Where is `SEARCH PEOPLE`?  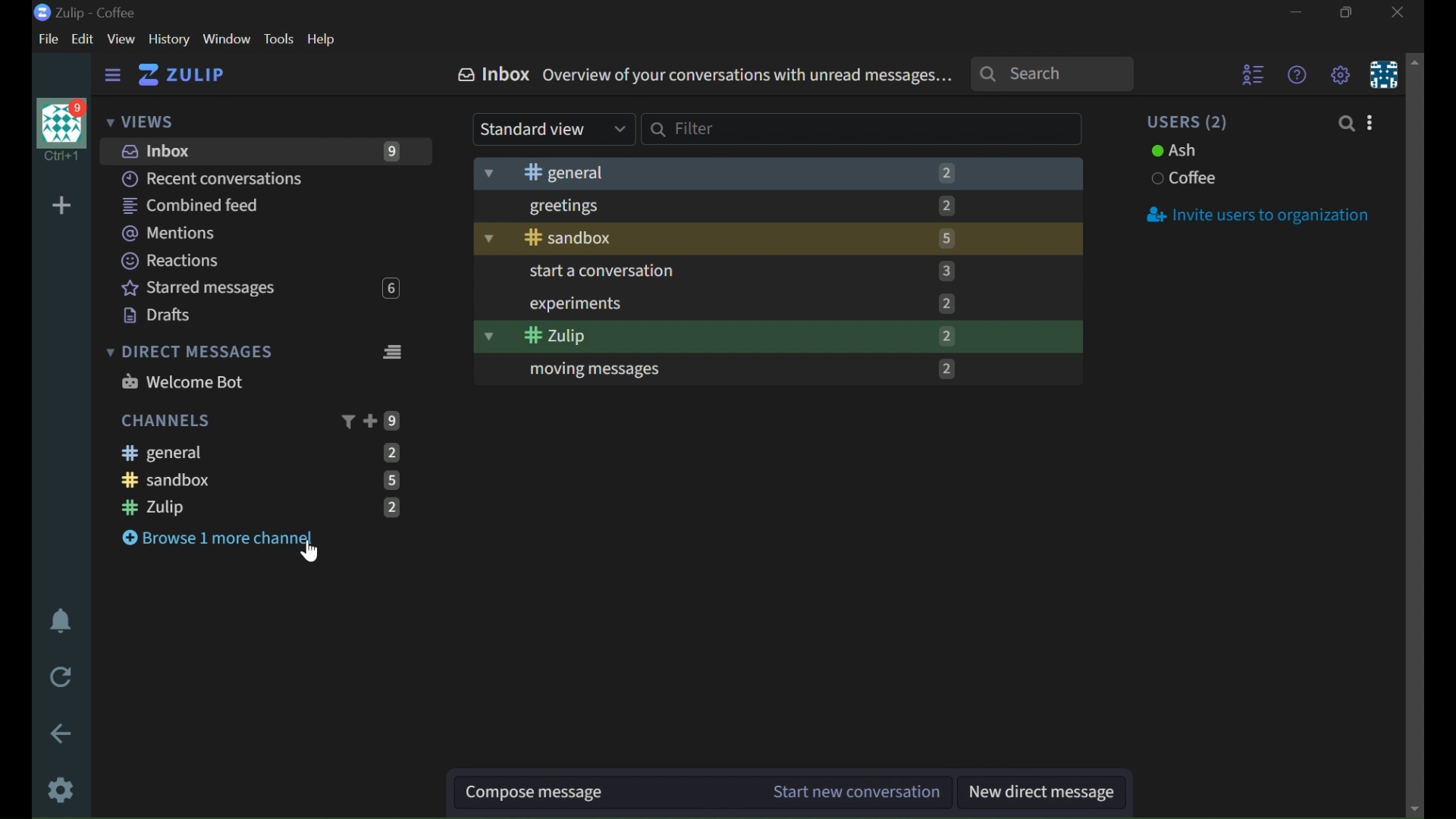
SEARCH PEOPLE is located at coordinates (1346, 124).